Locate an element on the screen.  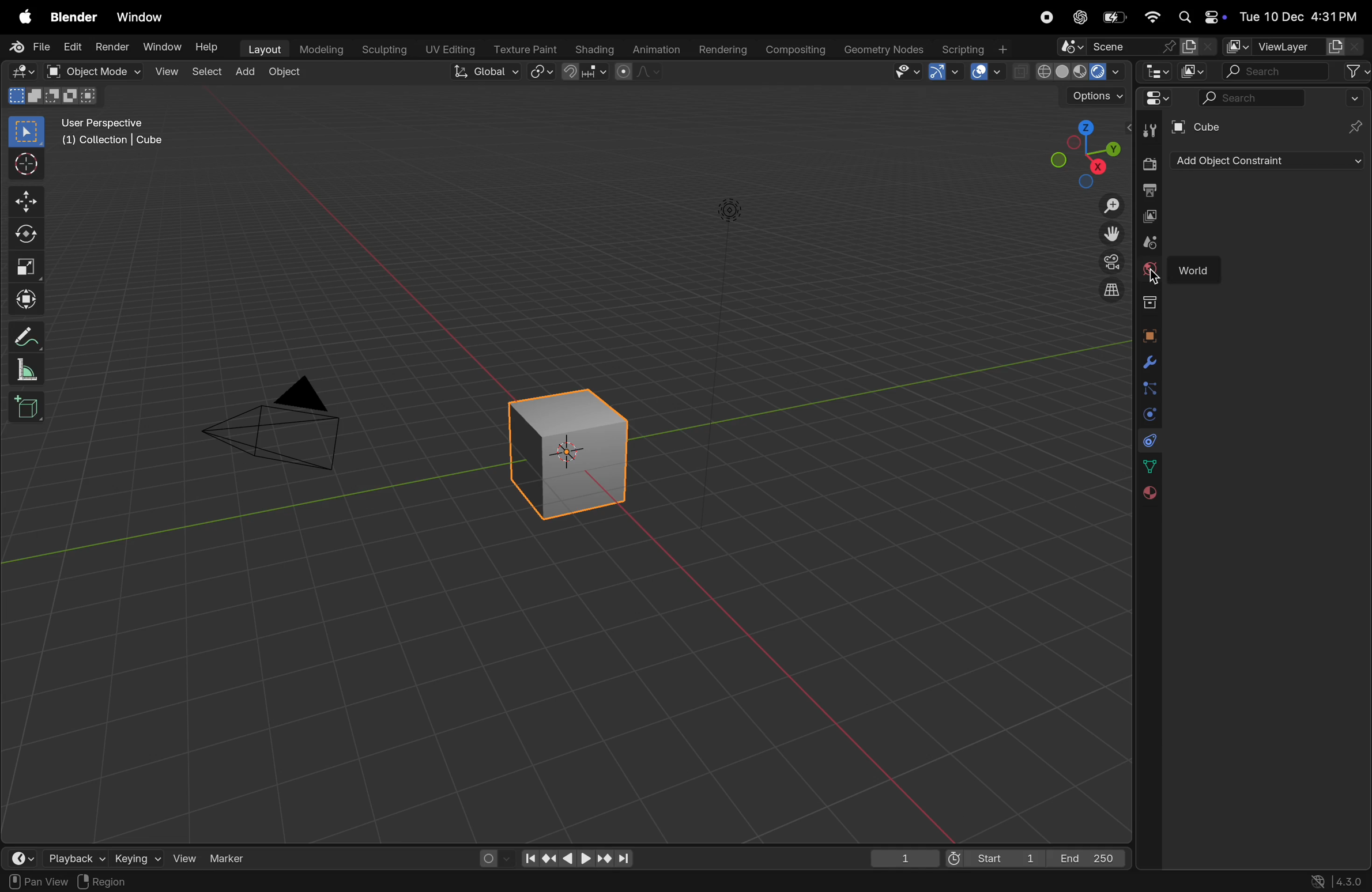
options is located at coordinates (1091, 99).